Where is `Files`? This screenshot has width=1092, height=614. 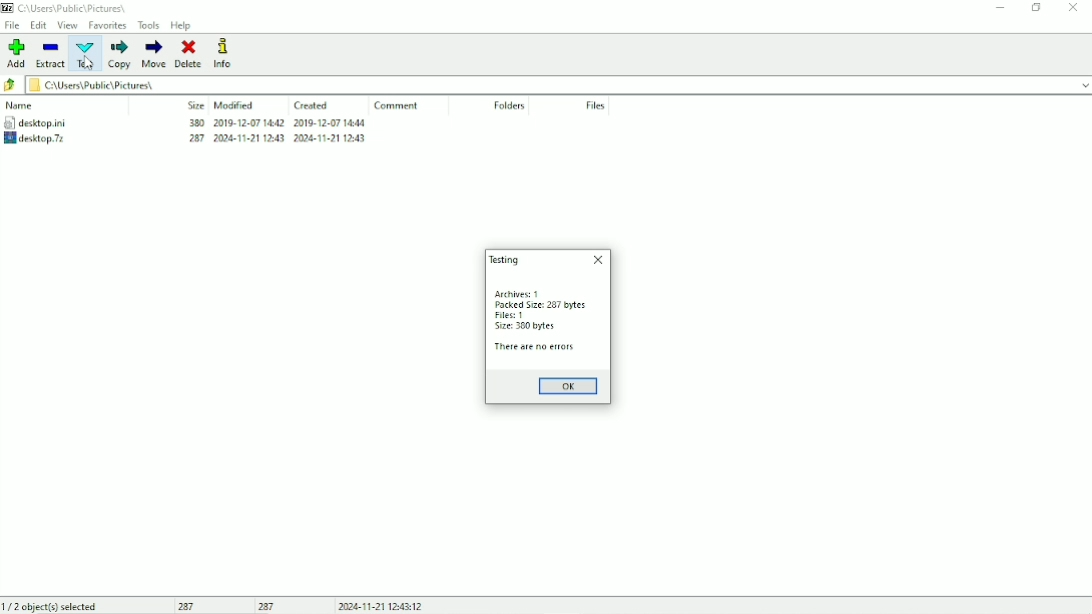
Files is located at coordinates (504, 316).